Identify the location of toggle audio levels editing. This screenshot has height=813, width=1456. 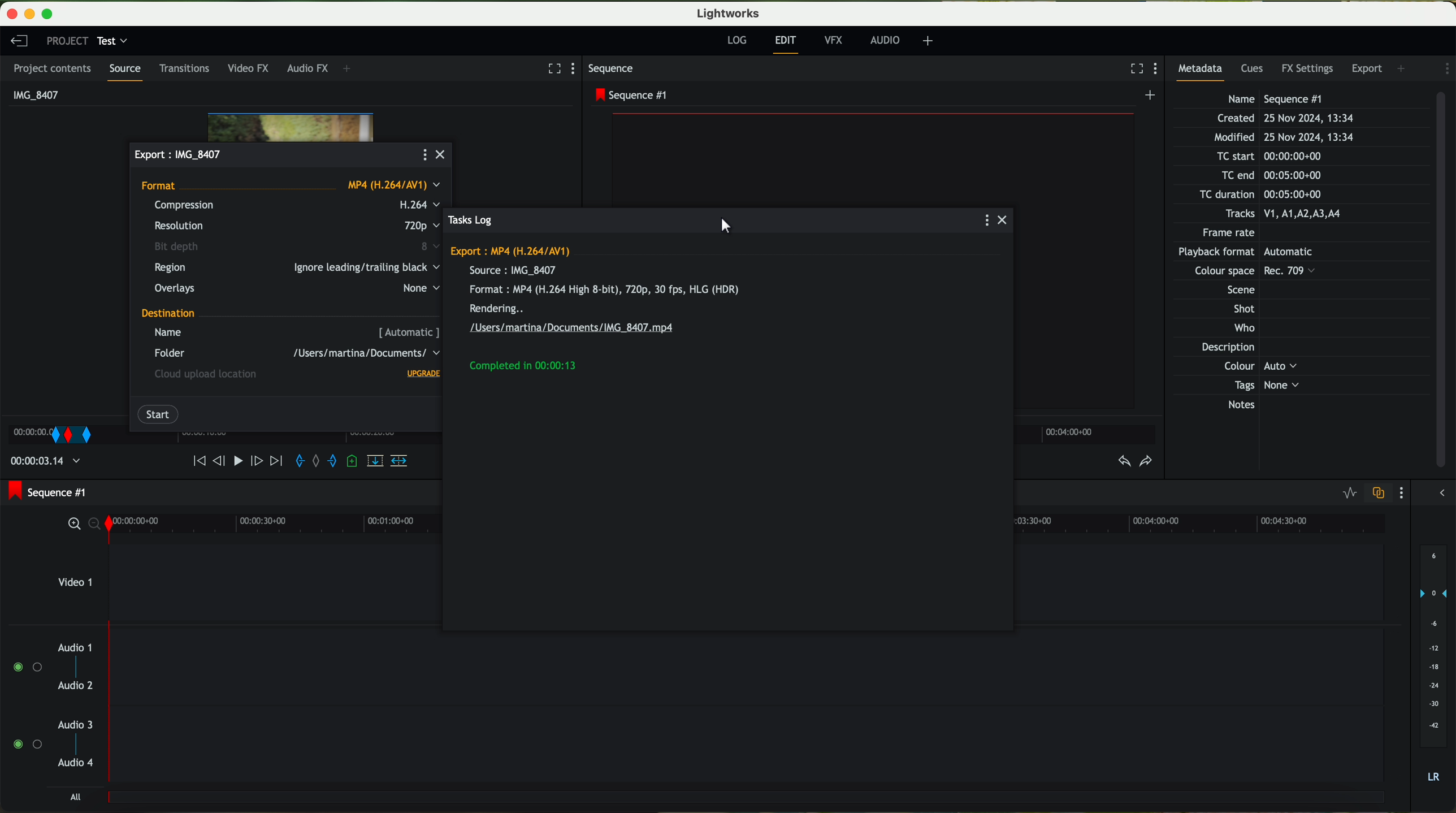
(1350, 494).